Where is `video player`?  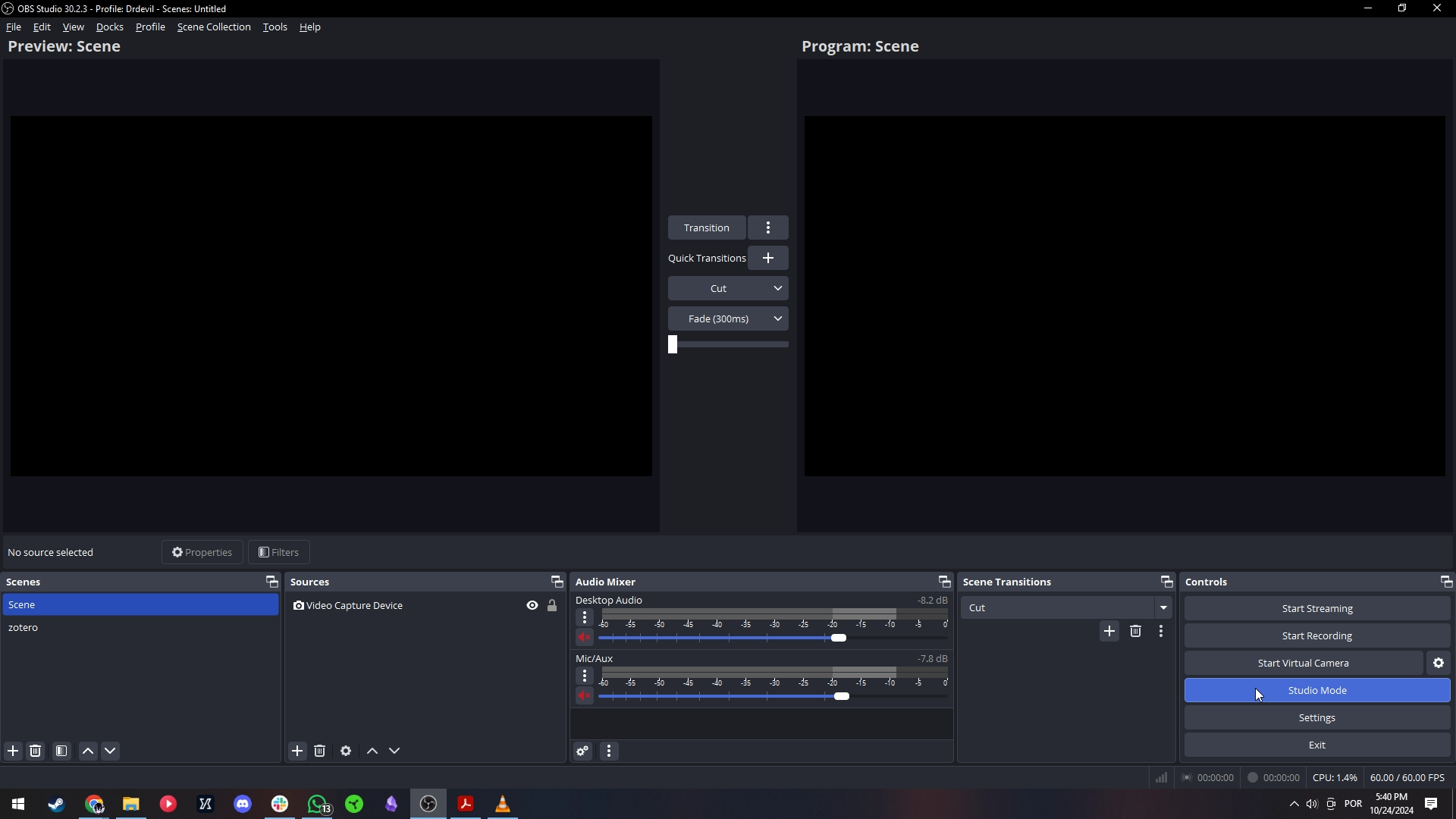 video player is located at coordinates (168, 802).